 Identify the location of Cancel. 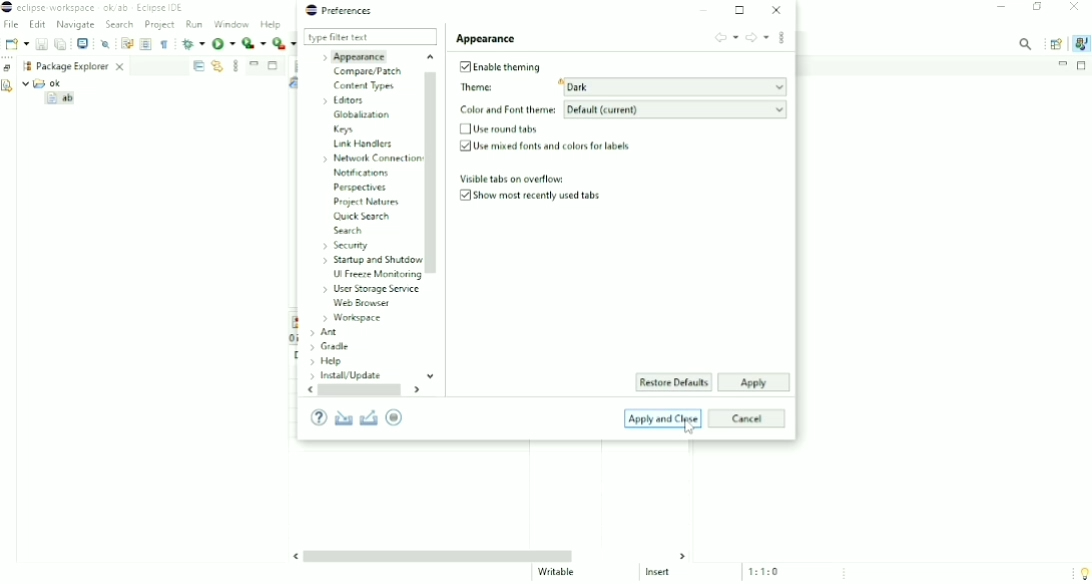
(748, 418).